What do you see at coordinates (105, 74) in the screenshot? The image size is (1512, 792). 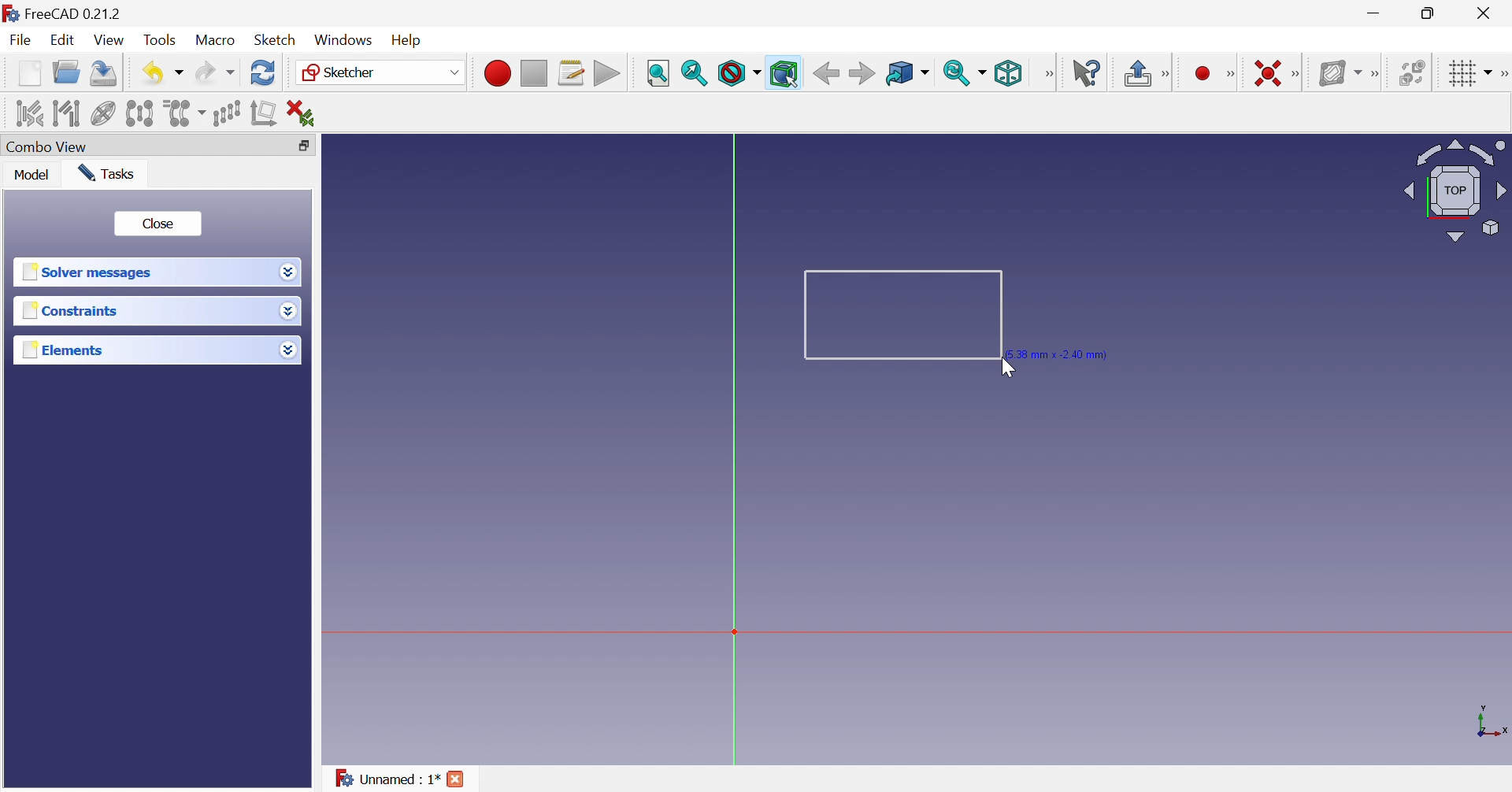 I see `Save` at bounding box center [105, 74].